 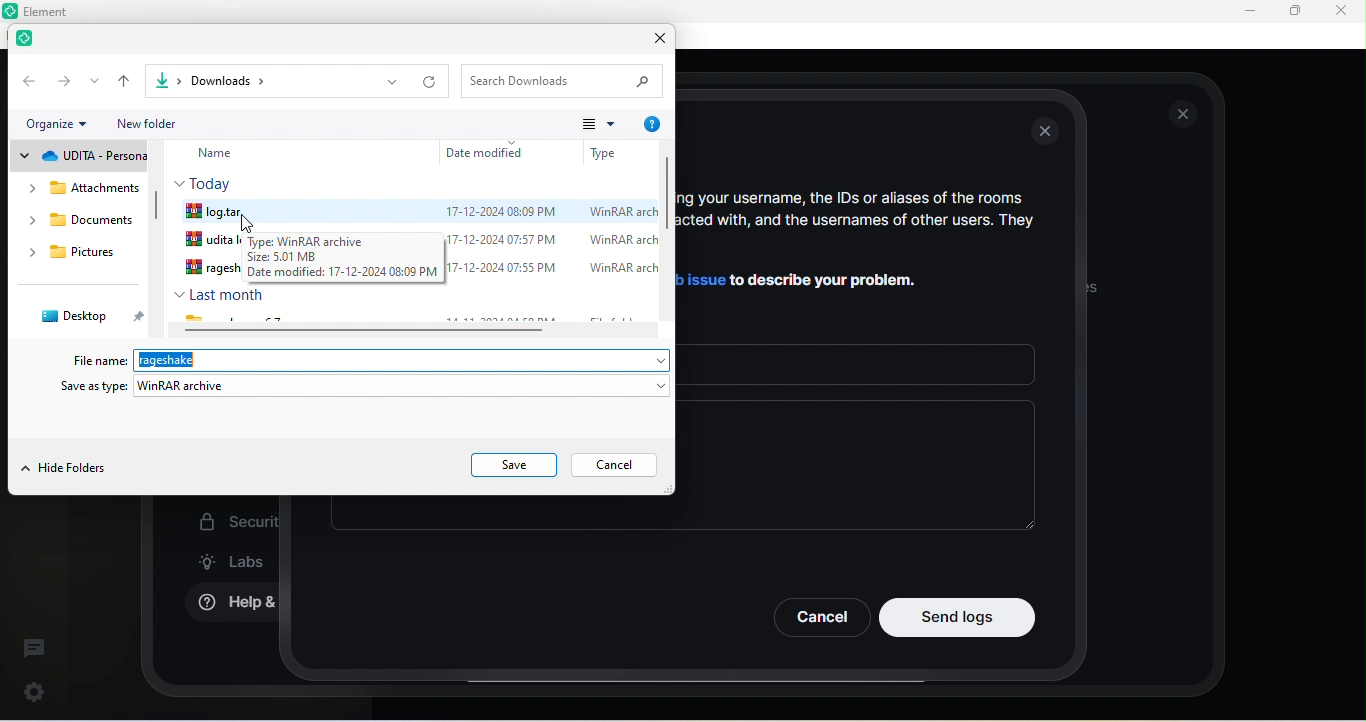 What do you see at coordinates (343, 272) in the screenshot?
I see `Date modified: 17-12-2024 08:09 PM` at bounding box center [343, 272].